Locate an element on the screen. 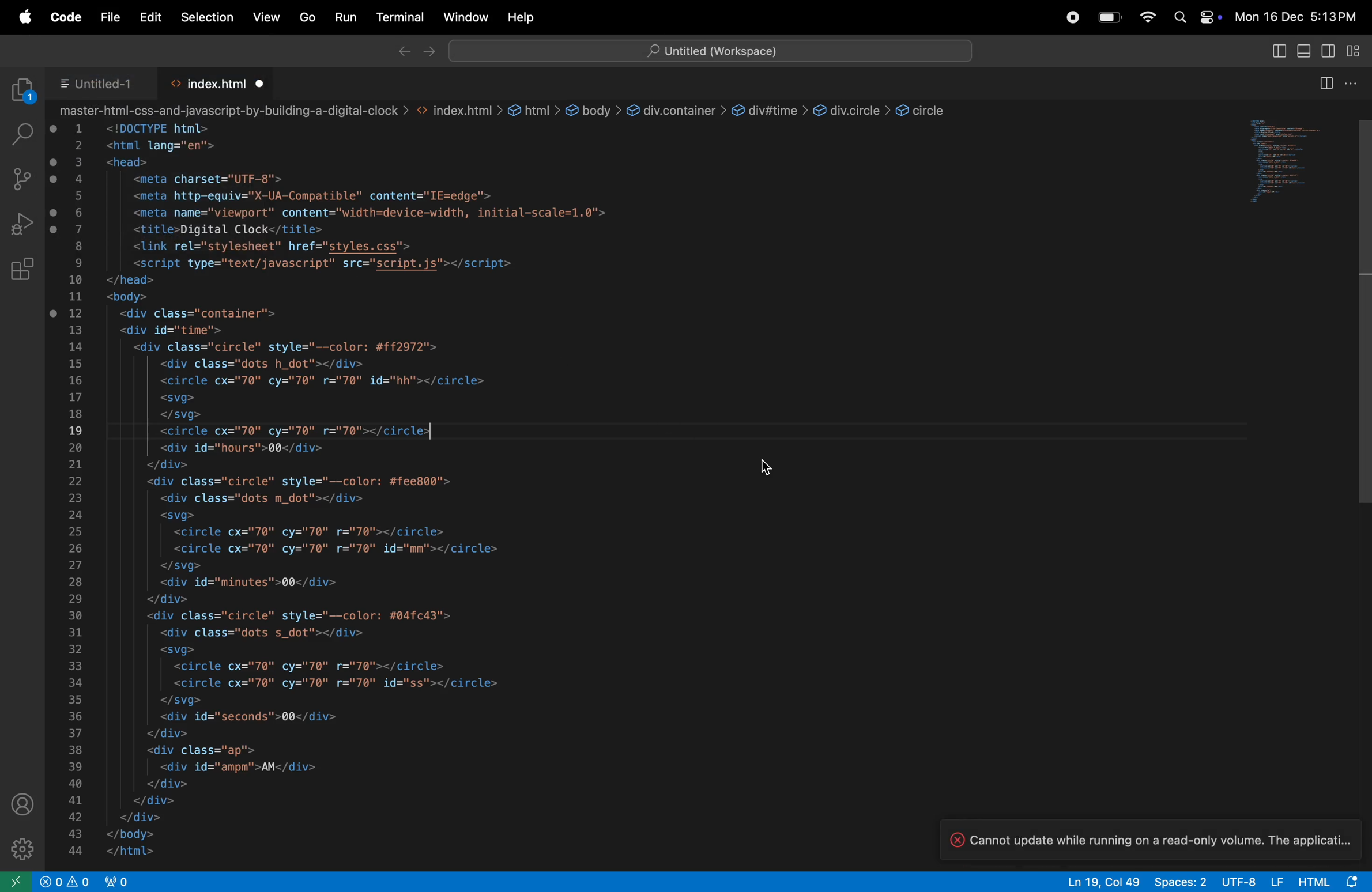 Image resolution: width=1372 pixels, height=892 pixels. spaces: 2 is located at coordinates (1181, 882).